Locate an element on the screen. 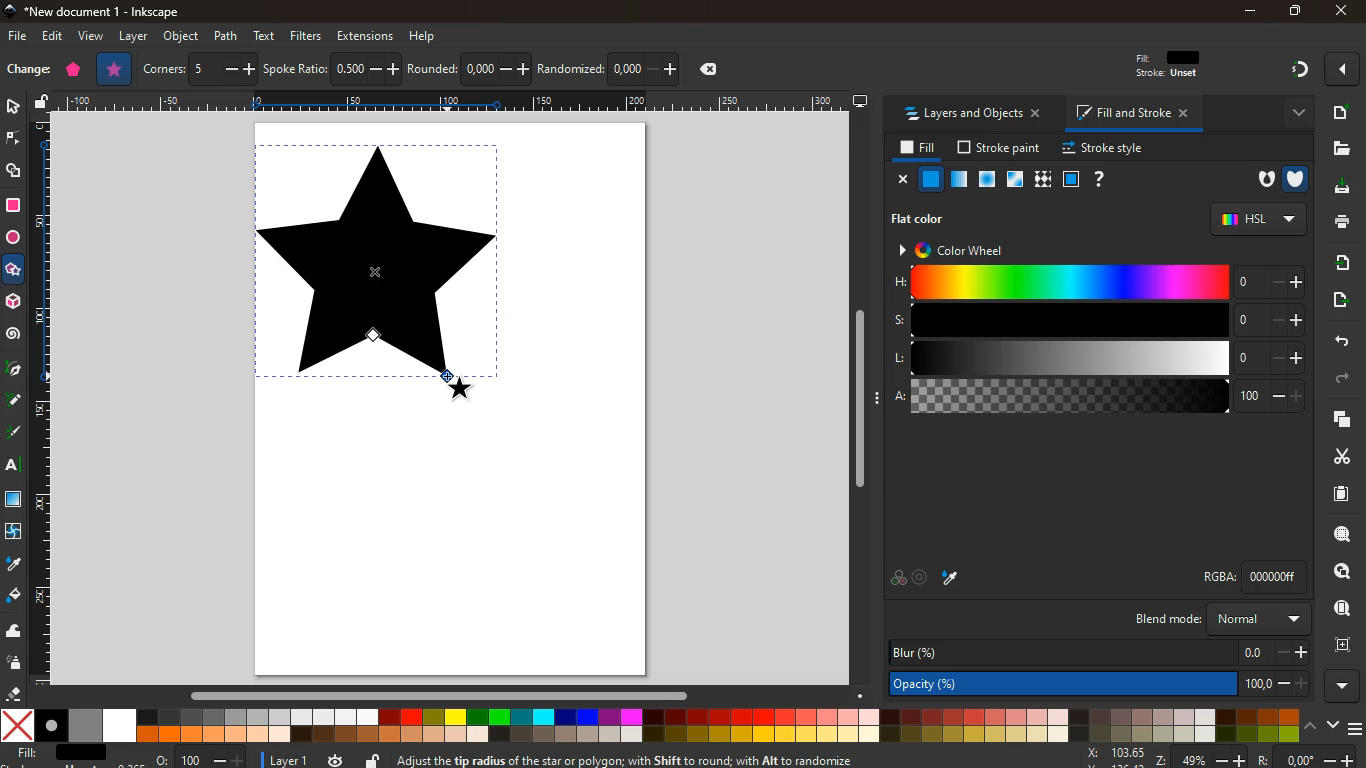 The width and height of the screenshot is (1366, 768). find is located at coordinates (1338, 608).